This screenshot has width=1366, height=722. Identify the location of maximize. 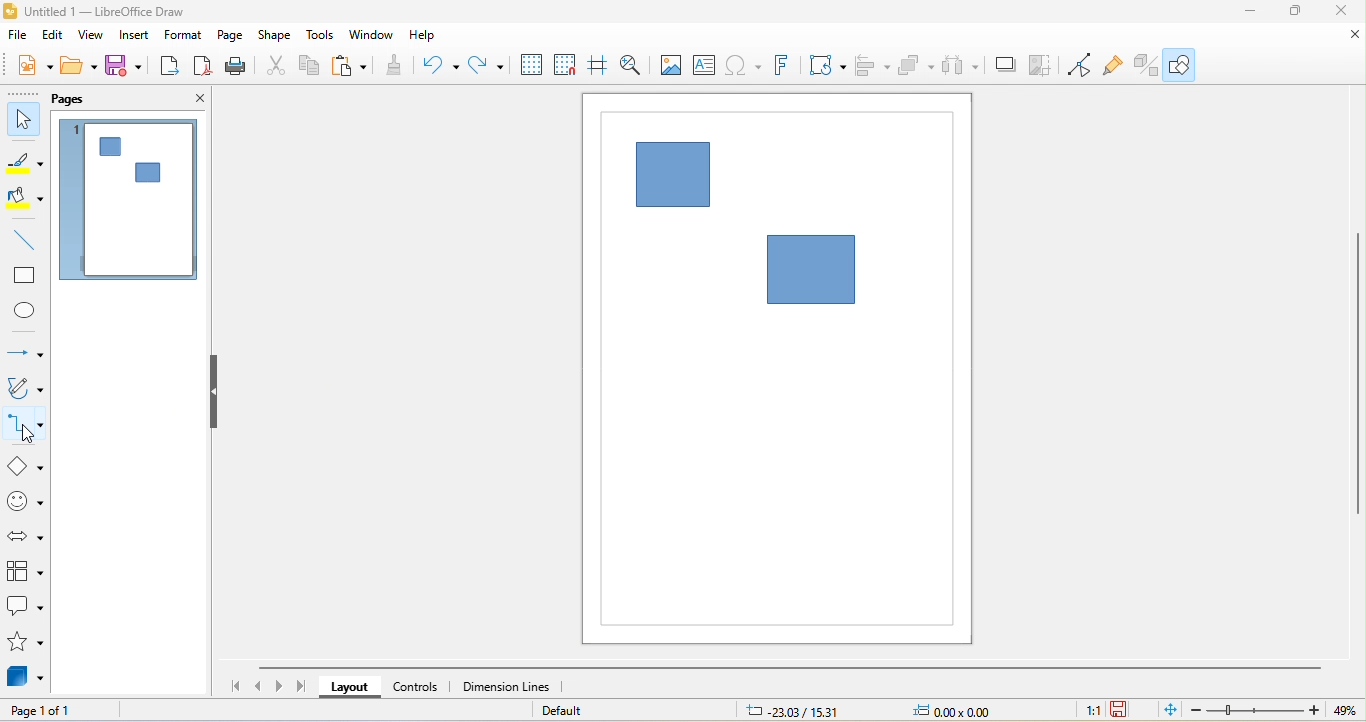
(1301, 11).